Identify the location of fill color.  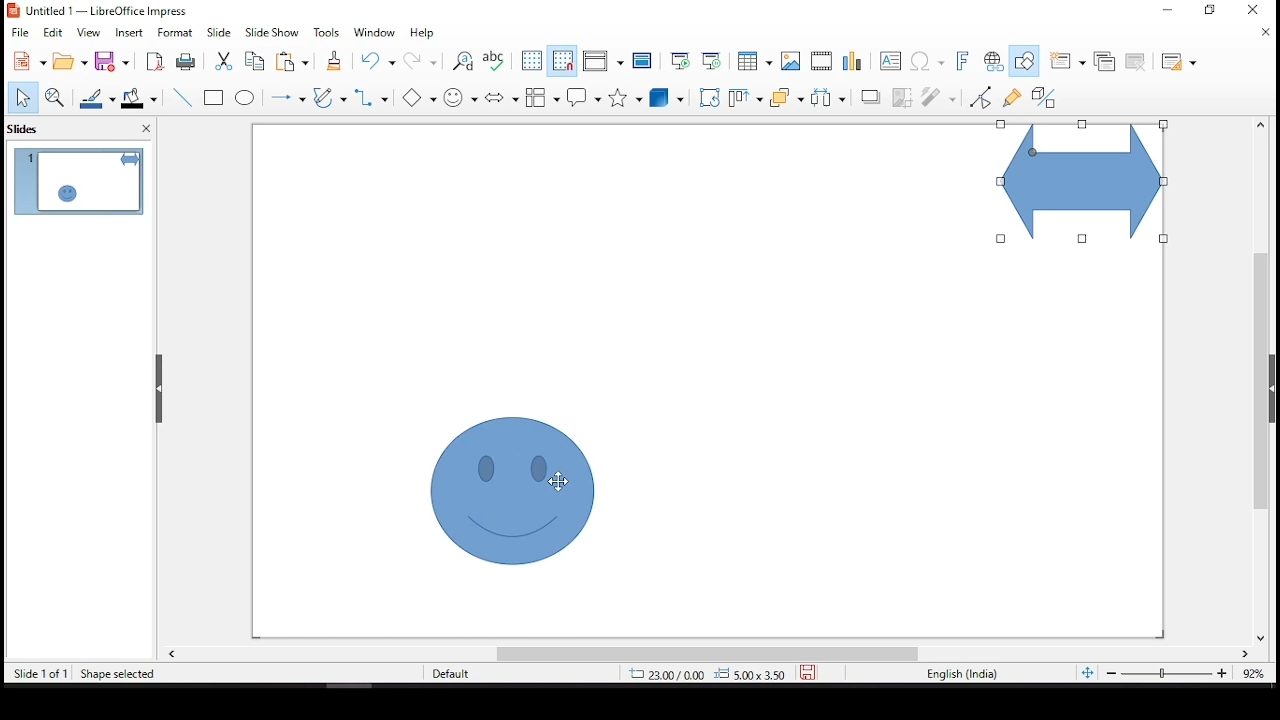
(143, 98).